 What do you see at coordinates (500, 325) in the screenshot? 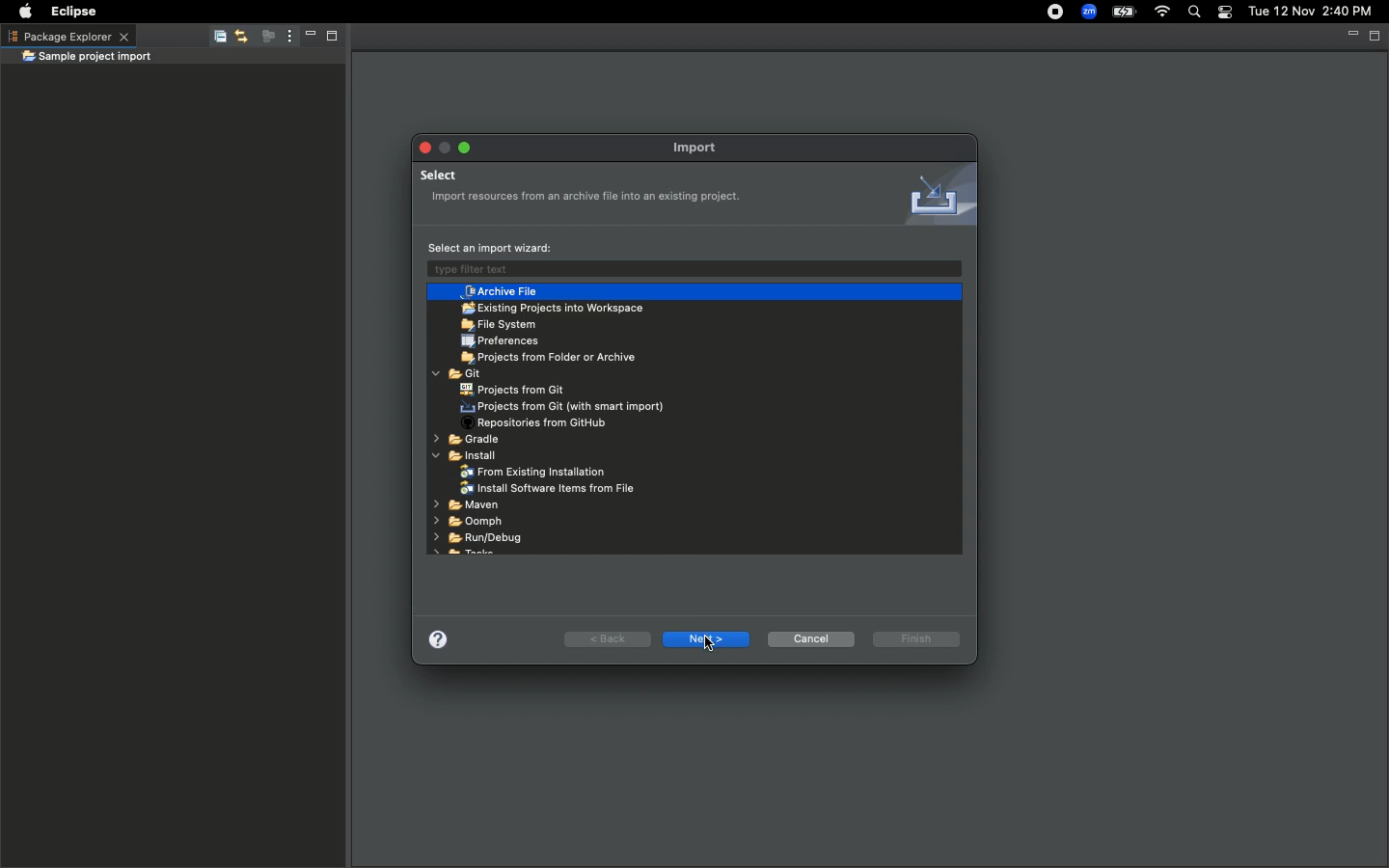
I see `File system` at bounding box center [500, 325].